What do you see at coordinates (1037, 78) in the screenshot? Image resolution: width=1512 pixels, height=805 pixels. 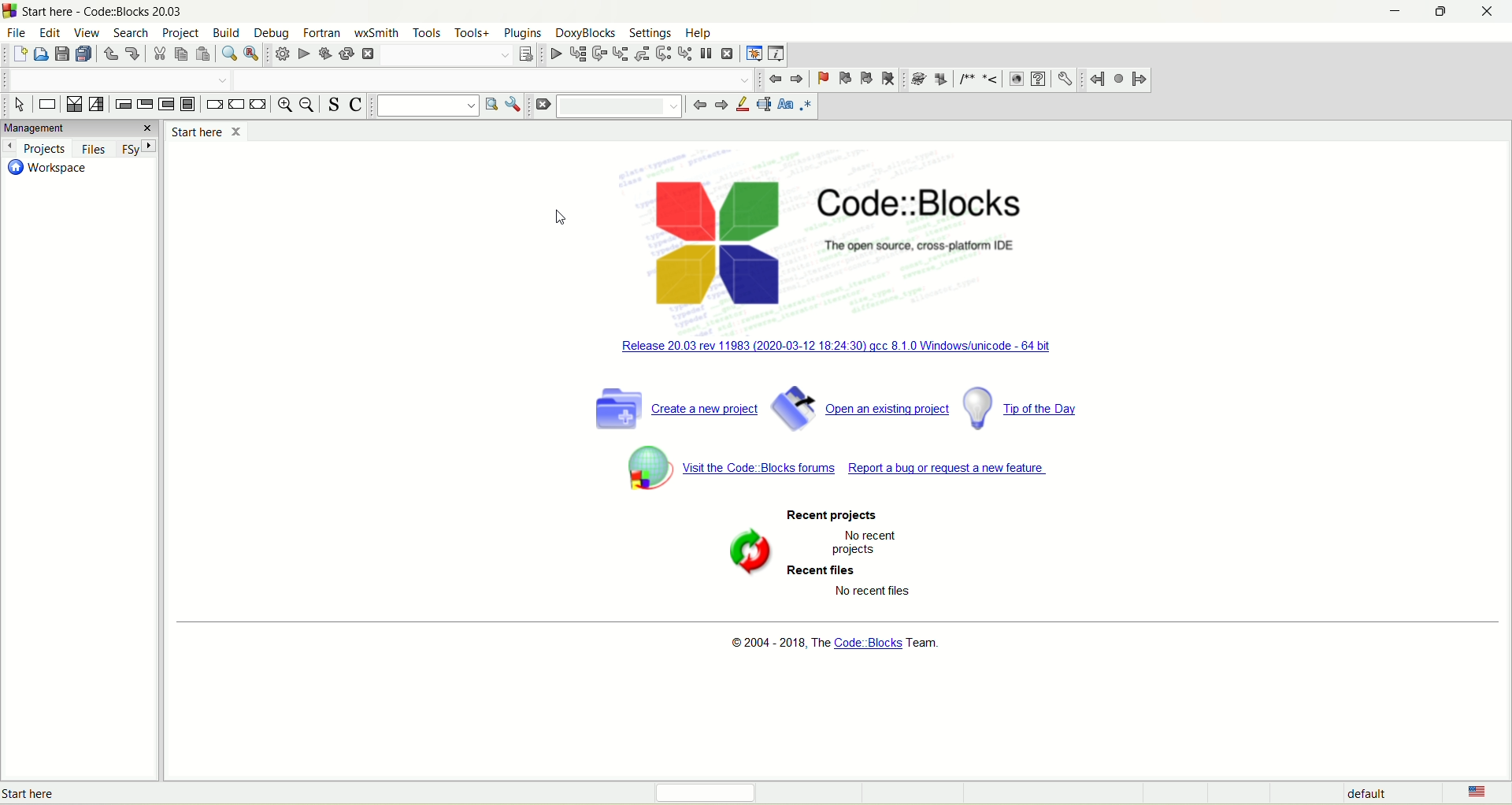 I see `help` at bounding box center [1037, 78].